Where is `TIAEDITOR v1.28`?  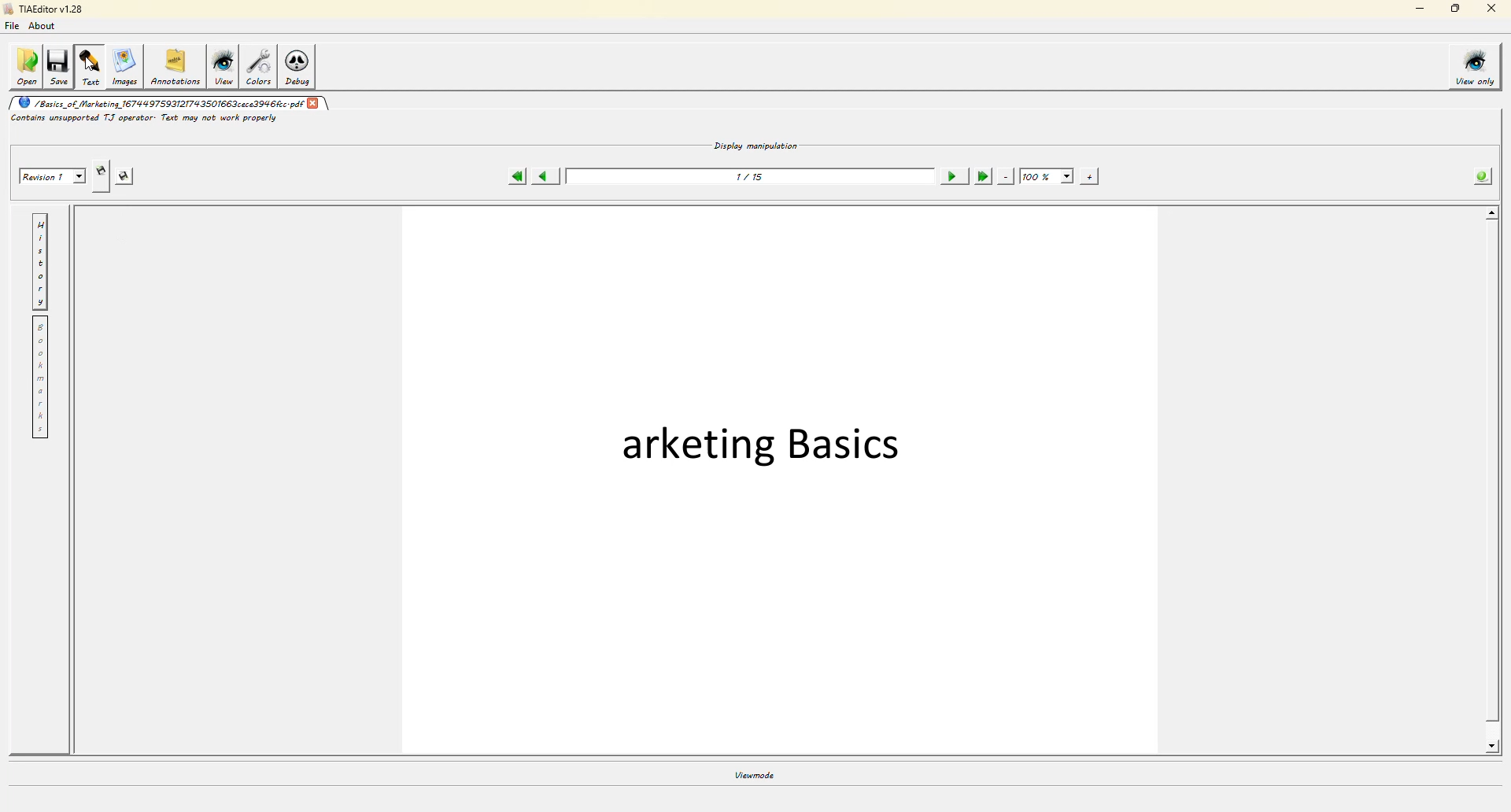 TIAEDITOR v1.28 is located at coordinates (43, 10).